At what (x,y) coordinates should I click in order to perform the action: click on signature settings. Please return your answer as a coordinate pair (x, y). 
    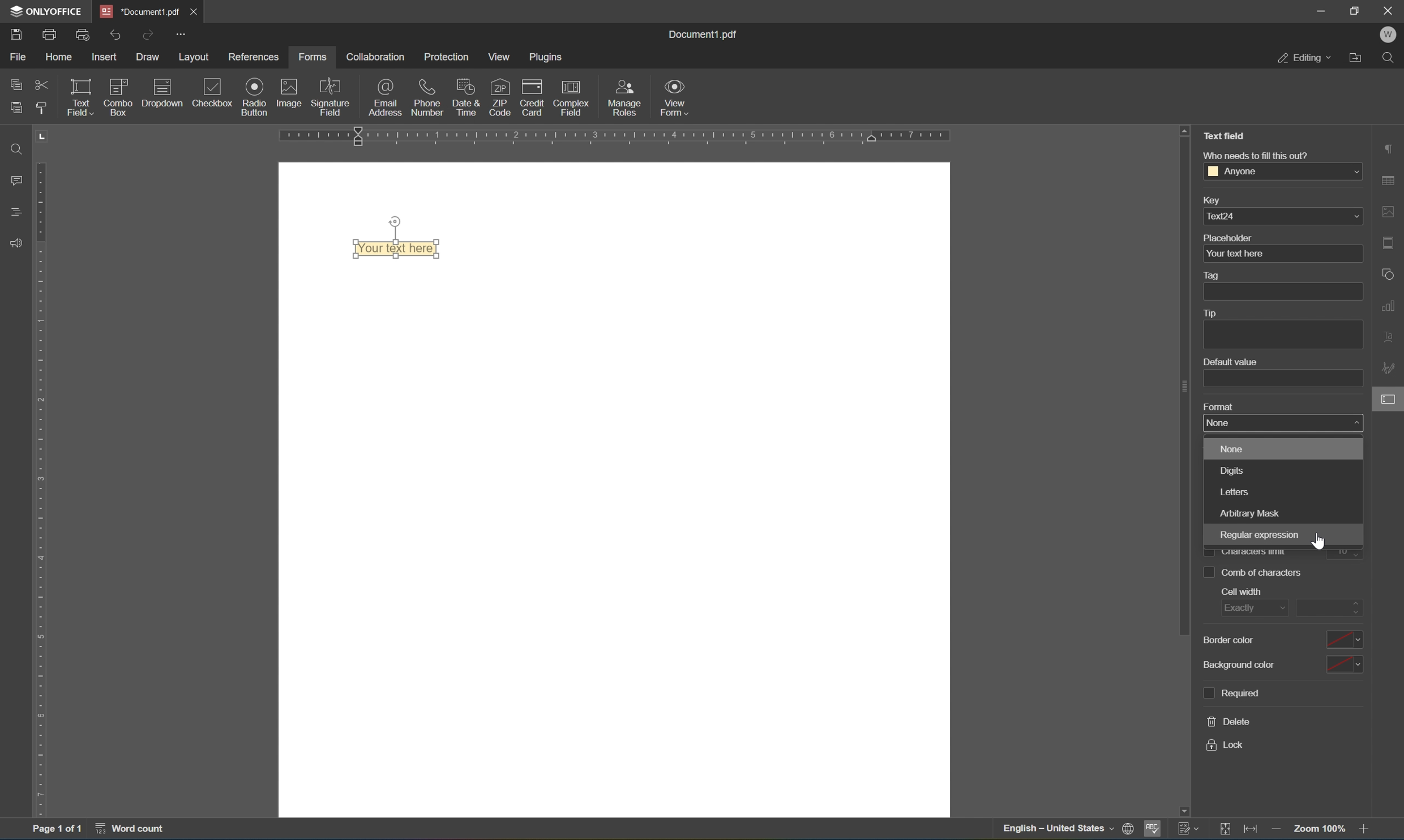
    Looking at the image, I should click on (1391, 368).